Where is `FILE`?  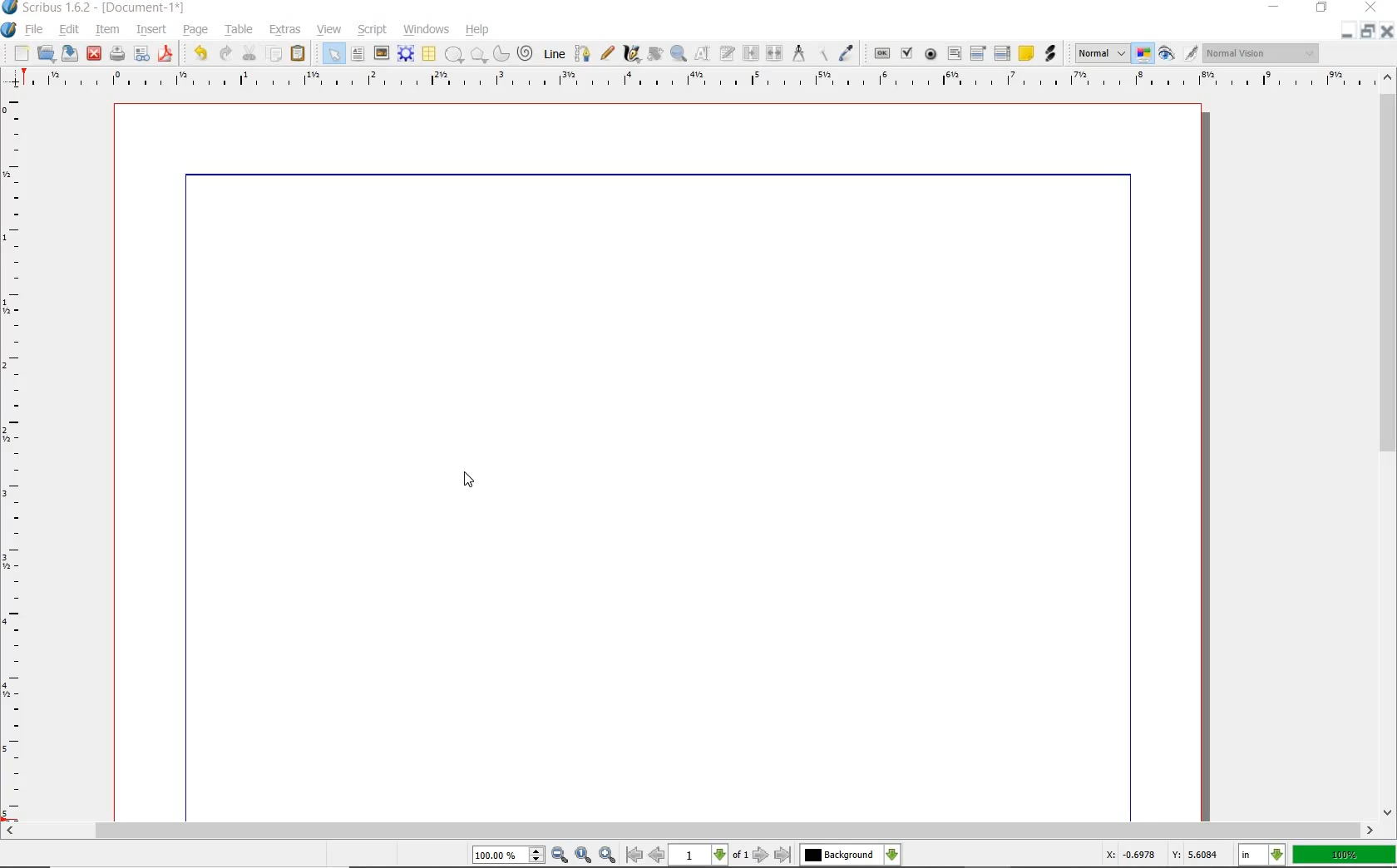
FILE is located at coordinates (36, 29).